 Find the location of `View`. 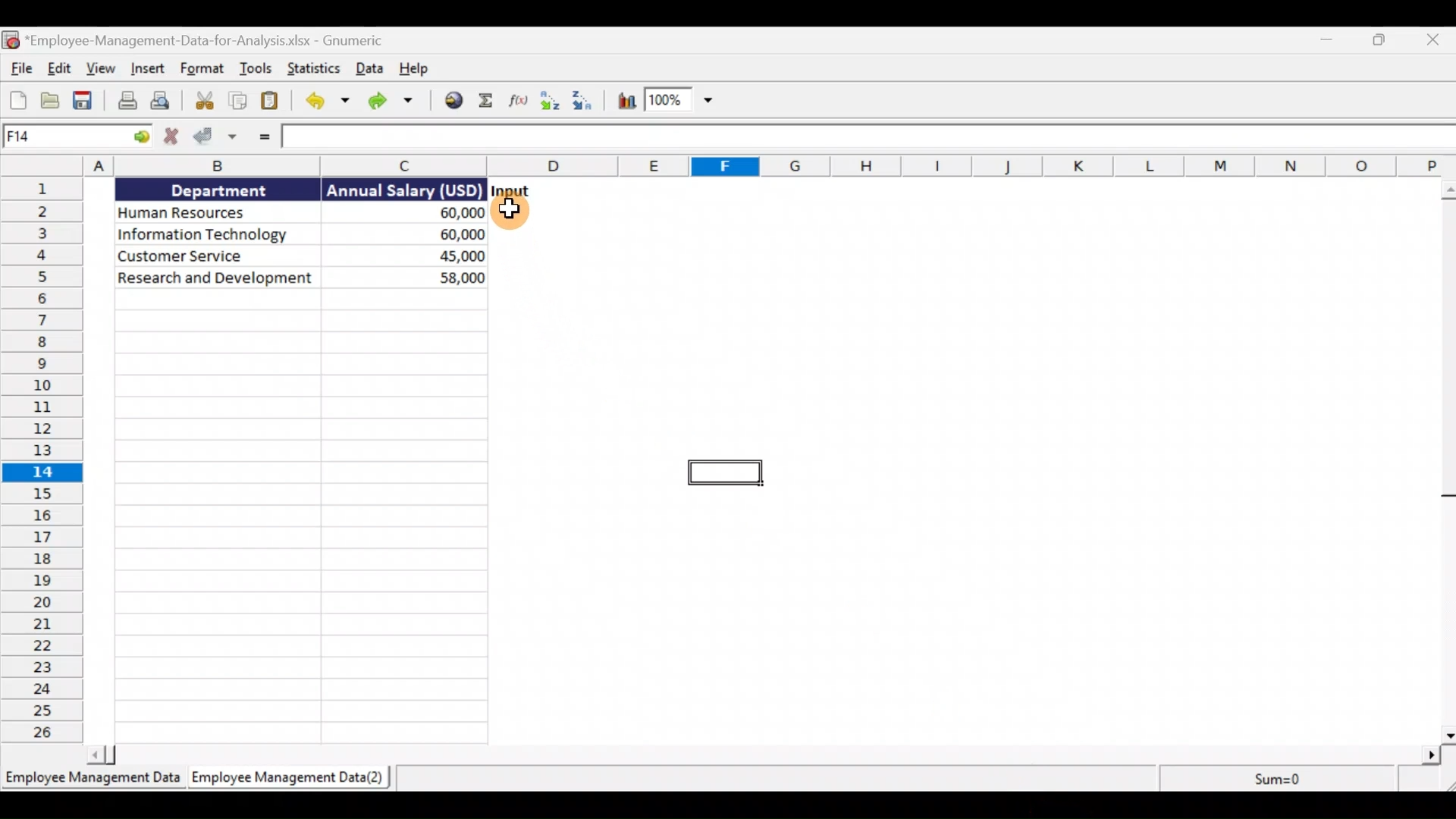

View is located at coordinates (103, 67).